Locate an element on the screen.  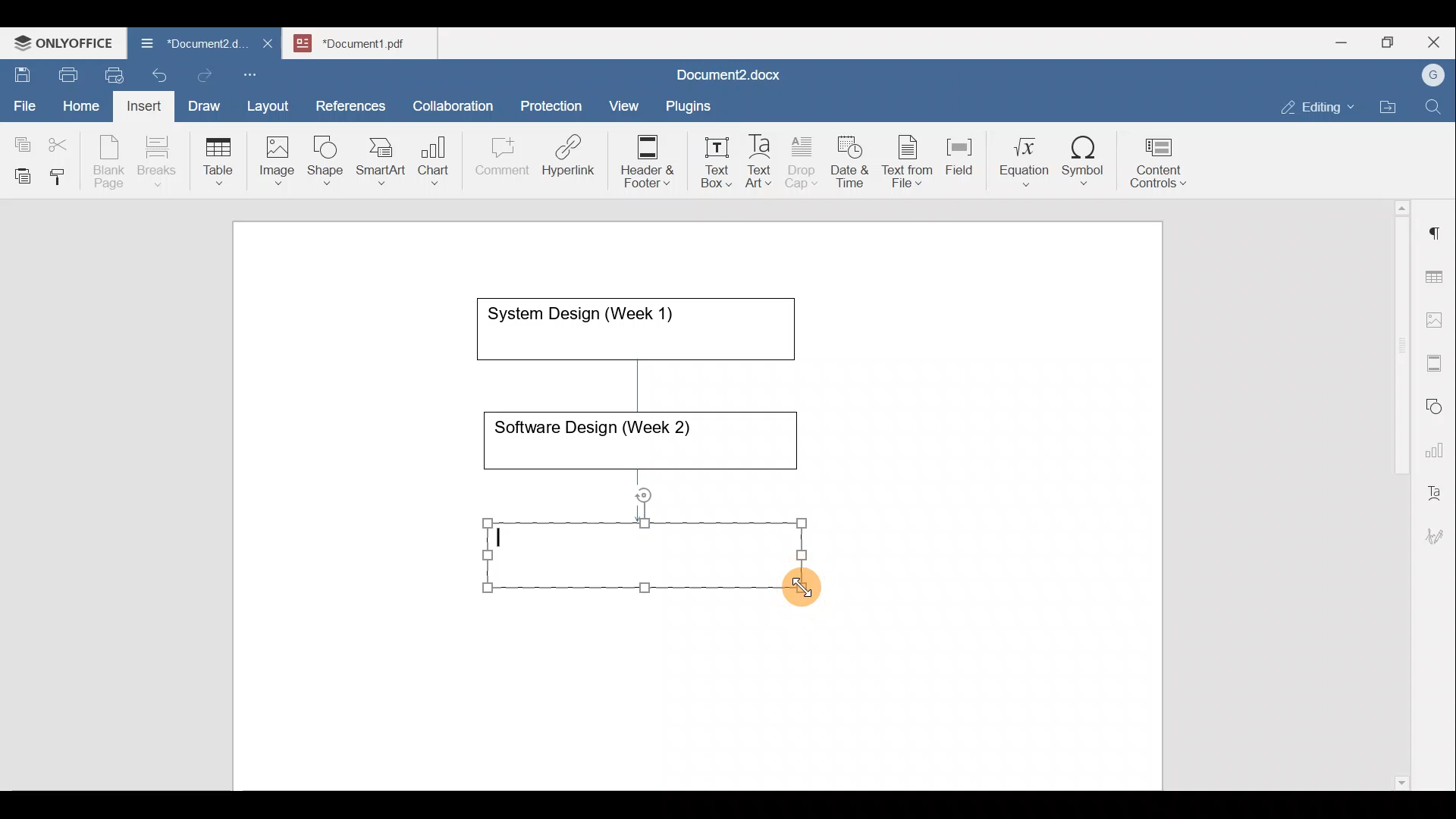
ONLYOFFICE is located at coordinates (64, 42).